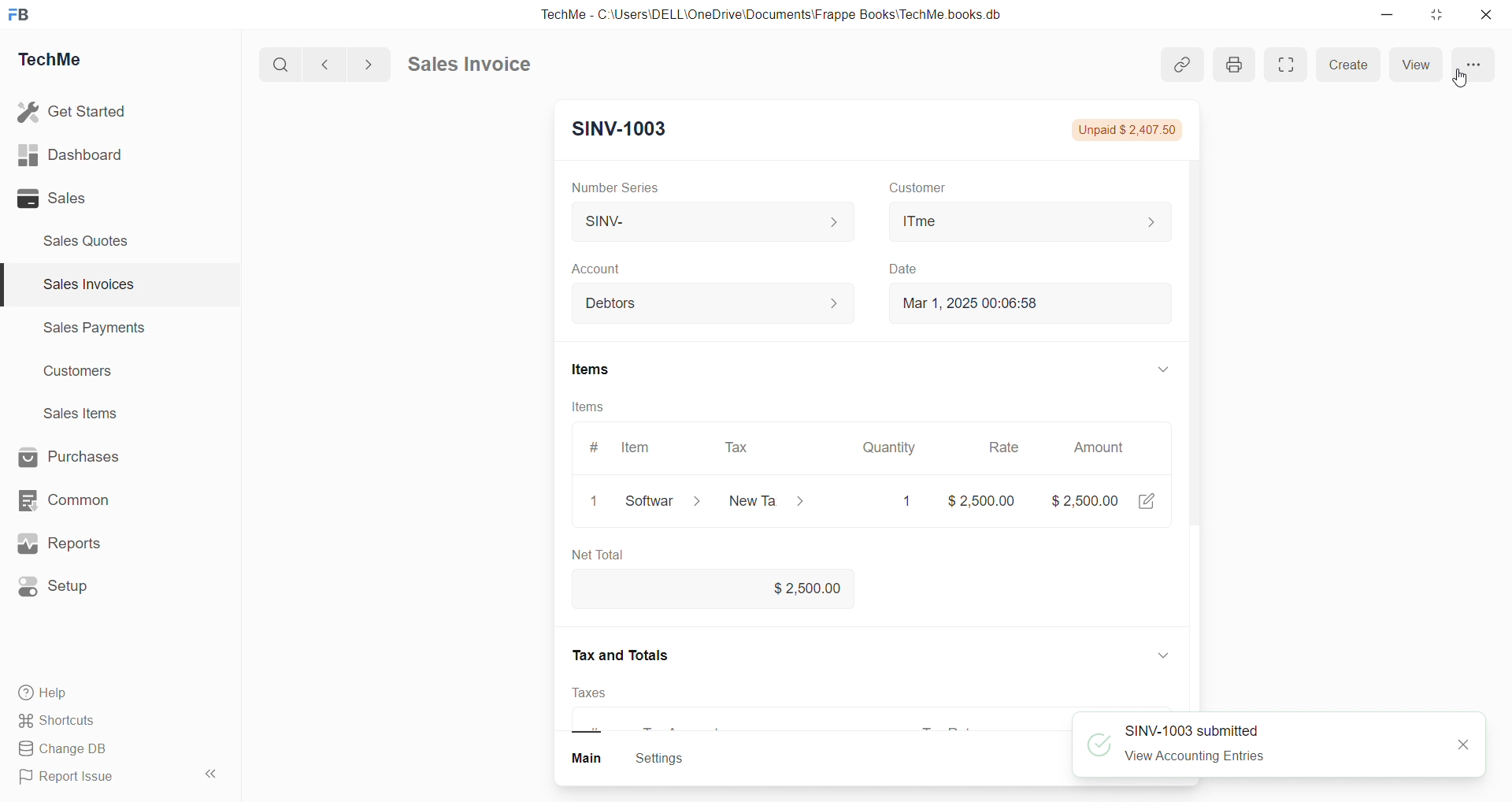 The width and height of the screenshot is (1512, 802). I want to click on Sales Payments, so click(87, 330).